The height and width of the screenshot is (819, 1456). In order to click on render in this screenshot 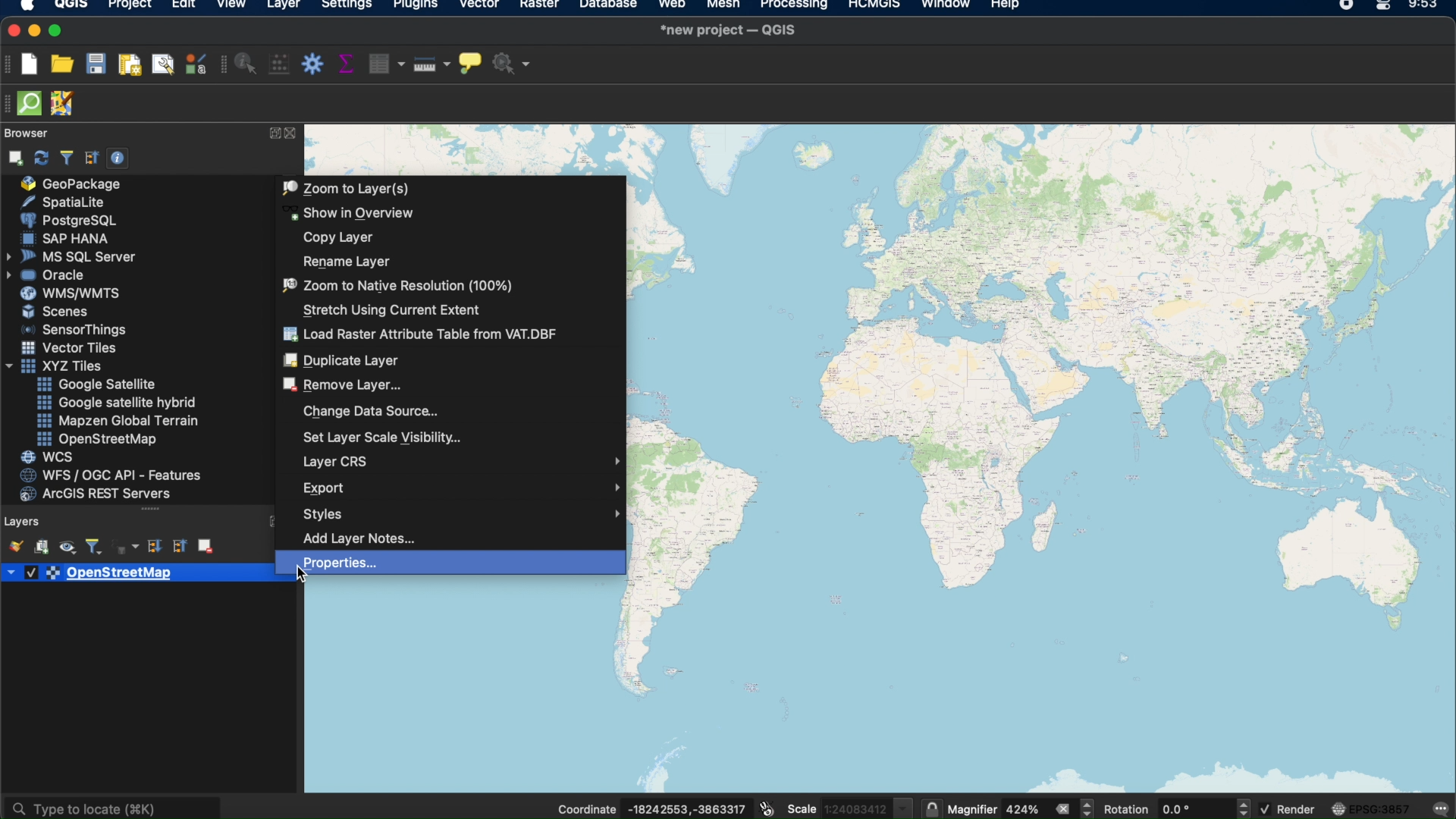, I will do `click(1288, 810)`.